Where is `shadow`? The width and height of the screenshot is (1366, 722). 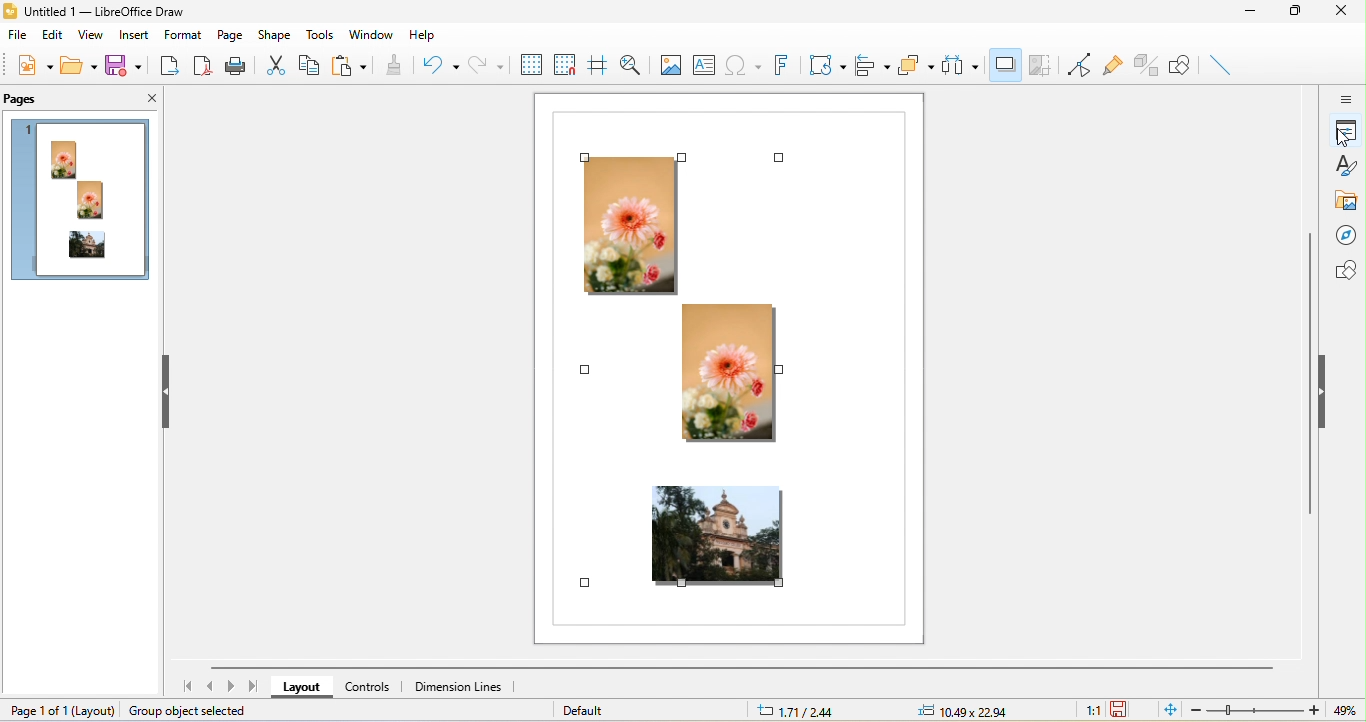
shadow is located at coordinates (1005, 64).